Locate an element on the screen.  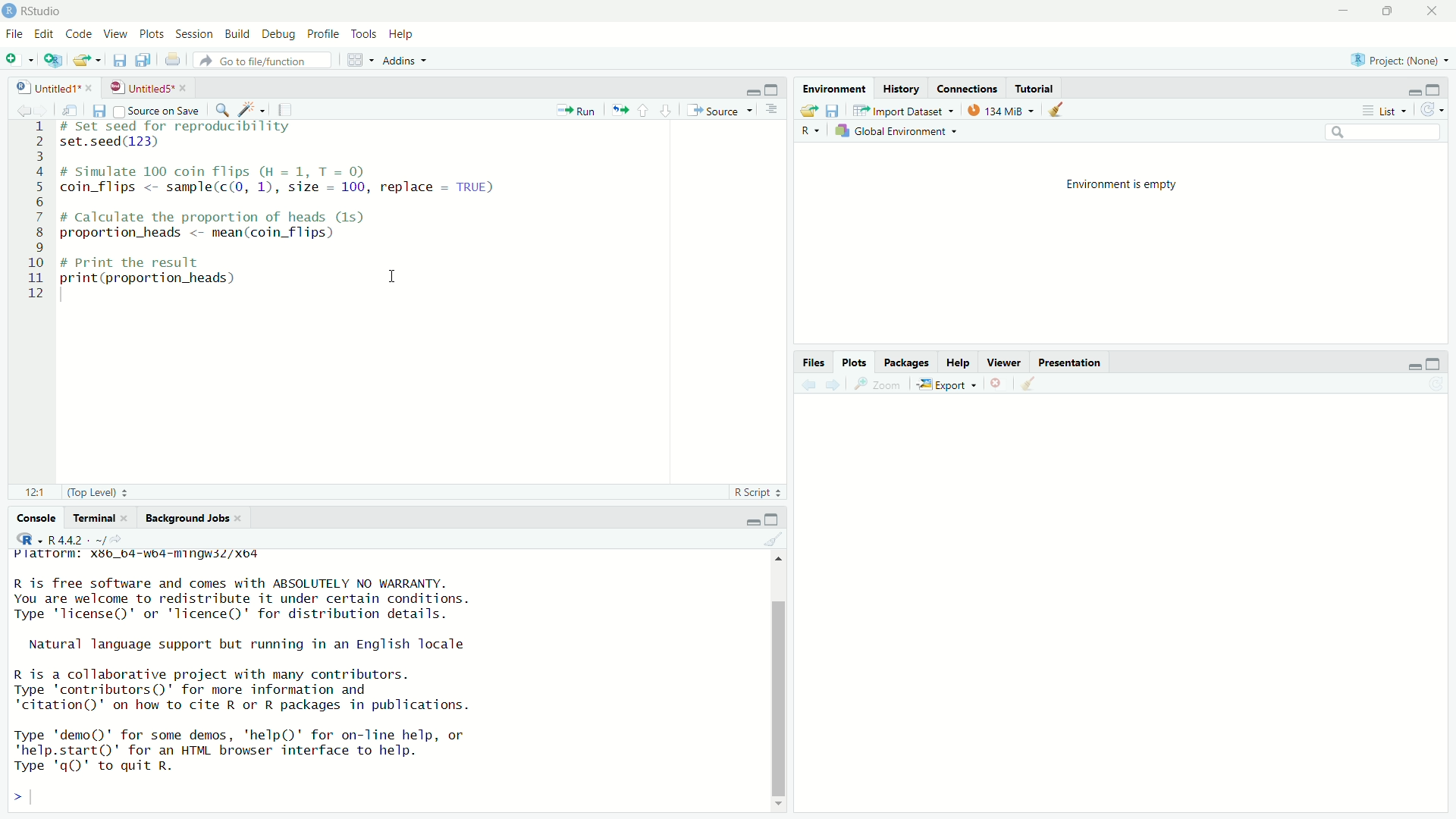
re-run the previous code region is located at coordinates (619, 110).